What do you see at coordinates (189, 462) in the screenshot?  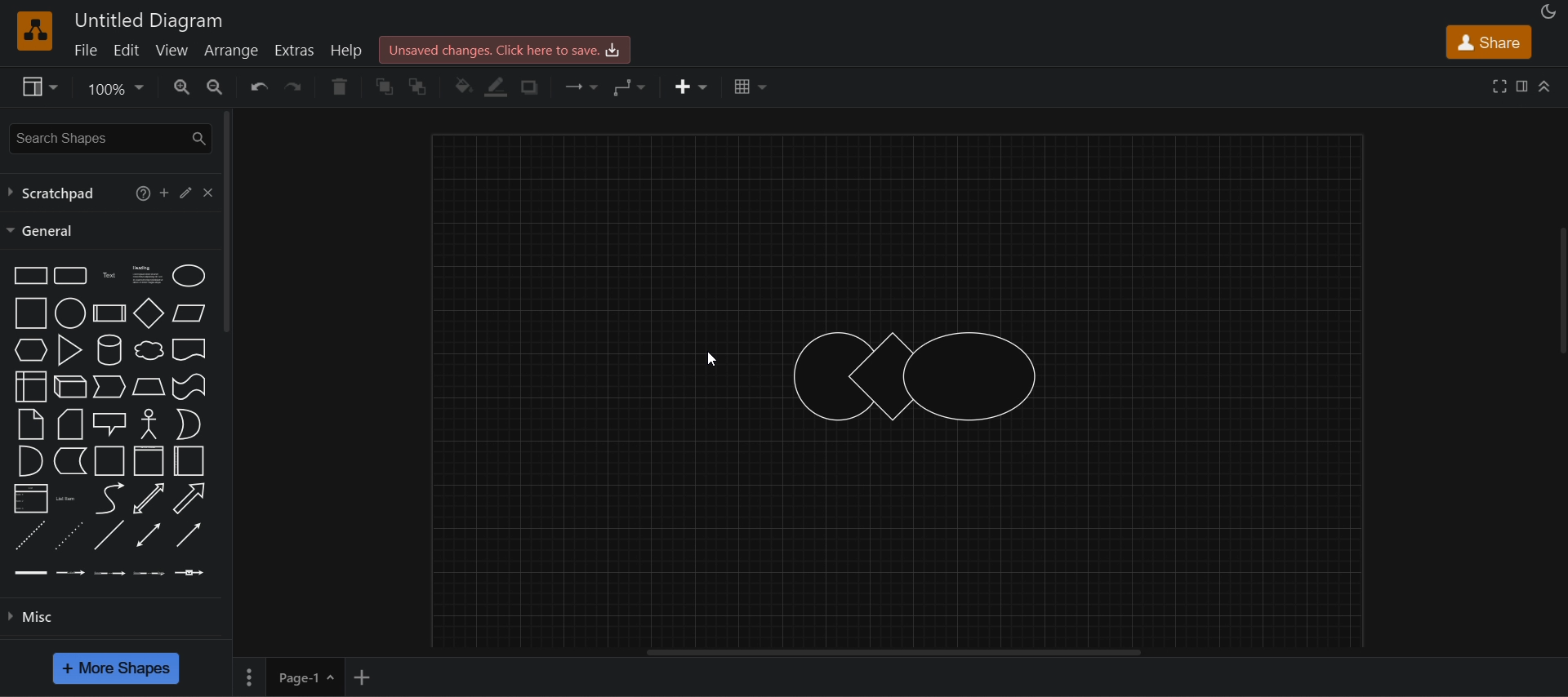 I see `Horizontal container` at bounding box center [189, 462].